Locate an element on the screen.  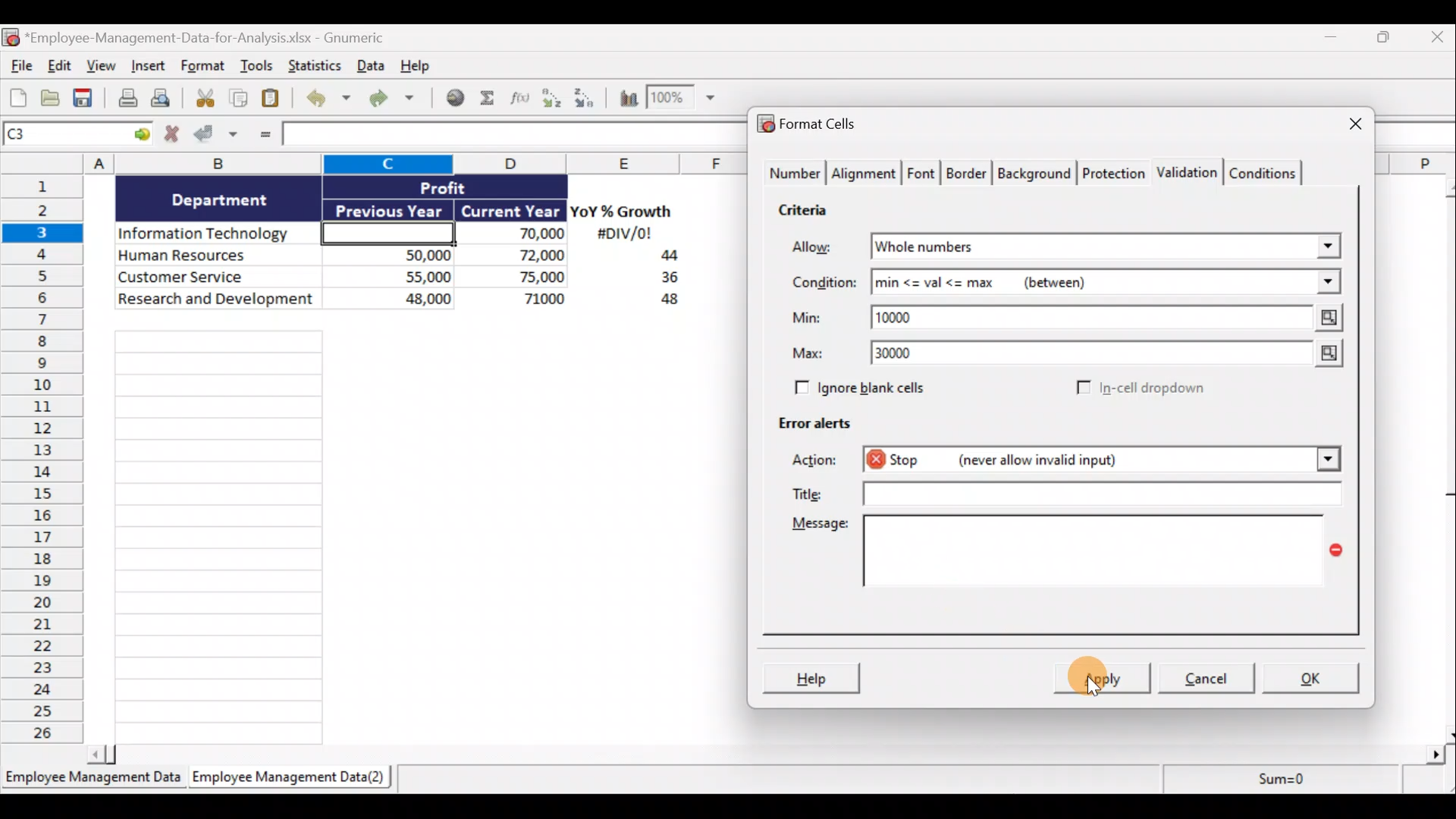
Whole numbers is located at coordinates (1018, 247).